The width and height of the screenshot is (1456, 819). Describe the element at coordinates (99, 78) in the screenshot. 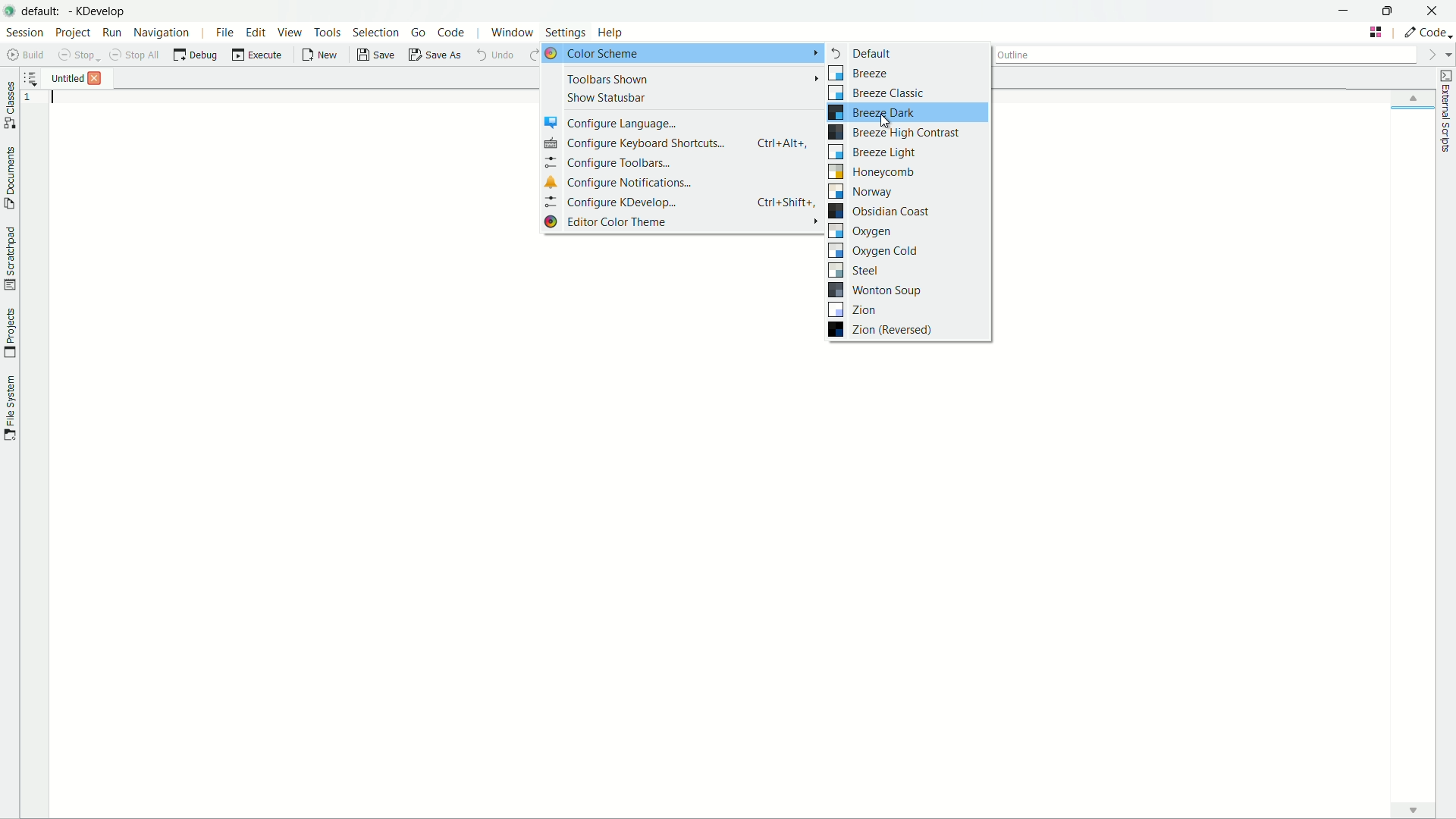

I see `Close` at that location.